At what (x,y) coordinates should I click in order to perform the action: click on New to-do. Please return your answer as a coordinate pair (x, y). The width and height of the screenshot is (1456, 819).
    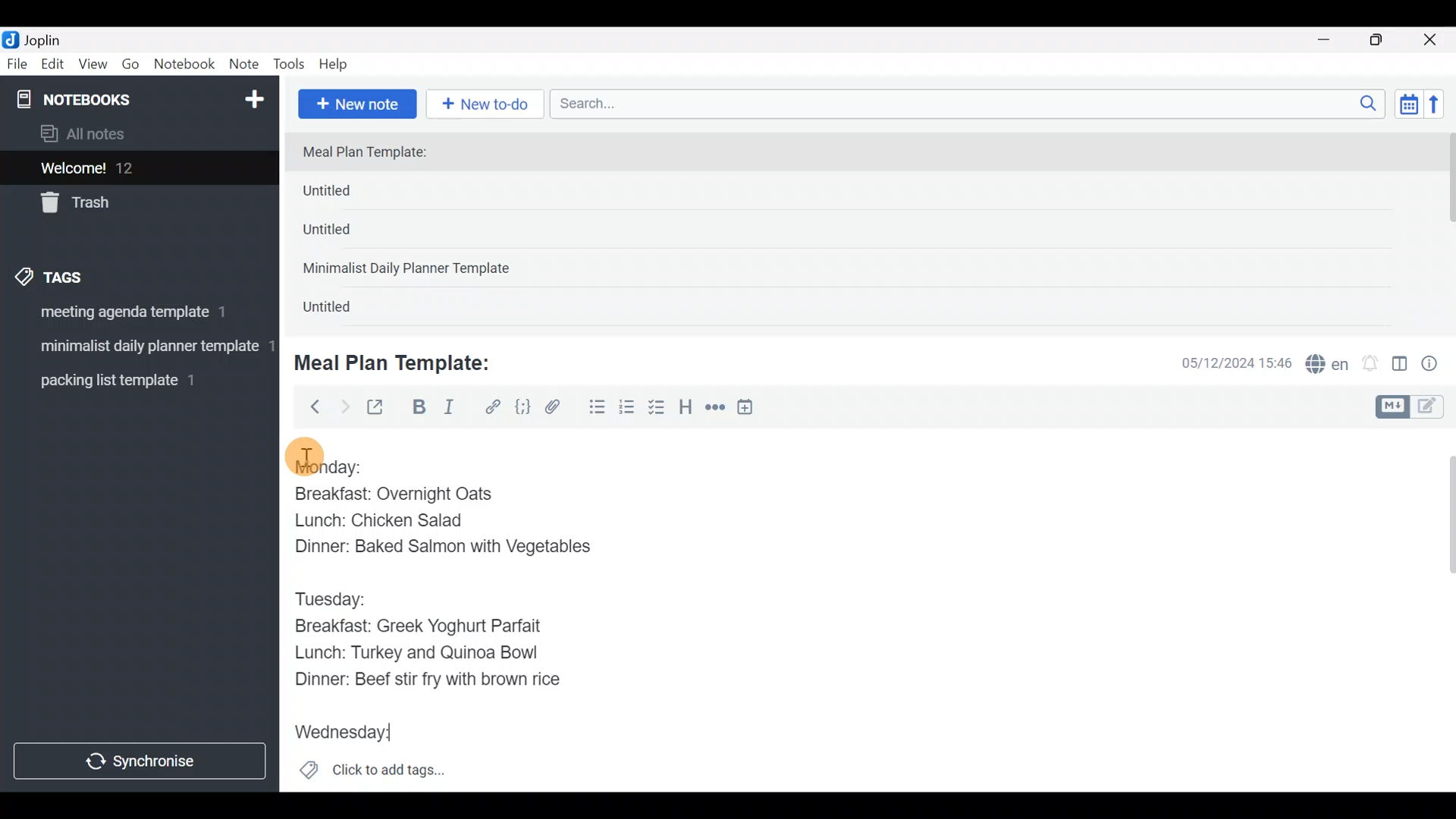
    Looking at the image, I should click on (488, 105).